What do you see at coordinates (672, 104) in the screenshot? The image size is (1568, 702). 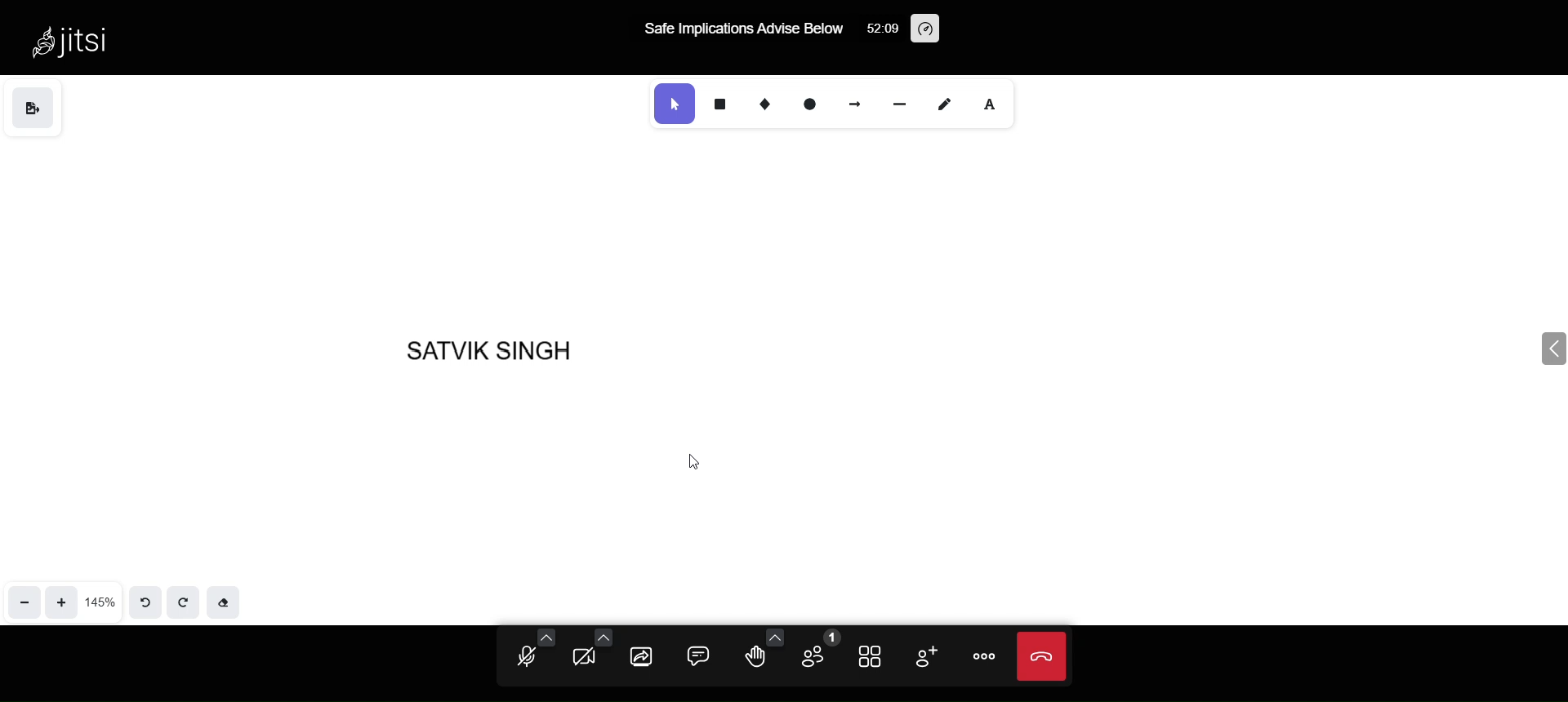 I see `Selection` at bounding box center [672, 104].